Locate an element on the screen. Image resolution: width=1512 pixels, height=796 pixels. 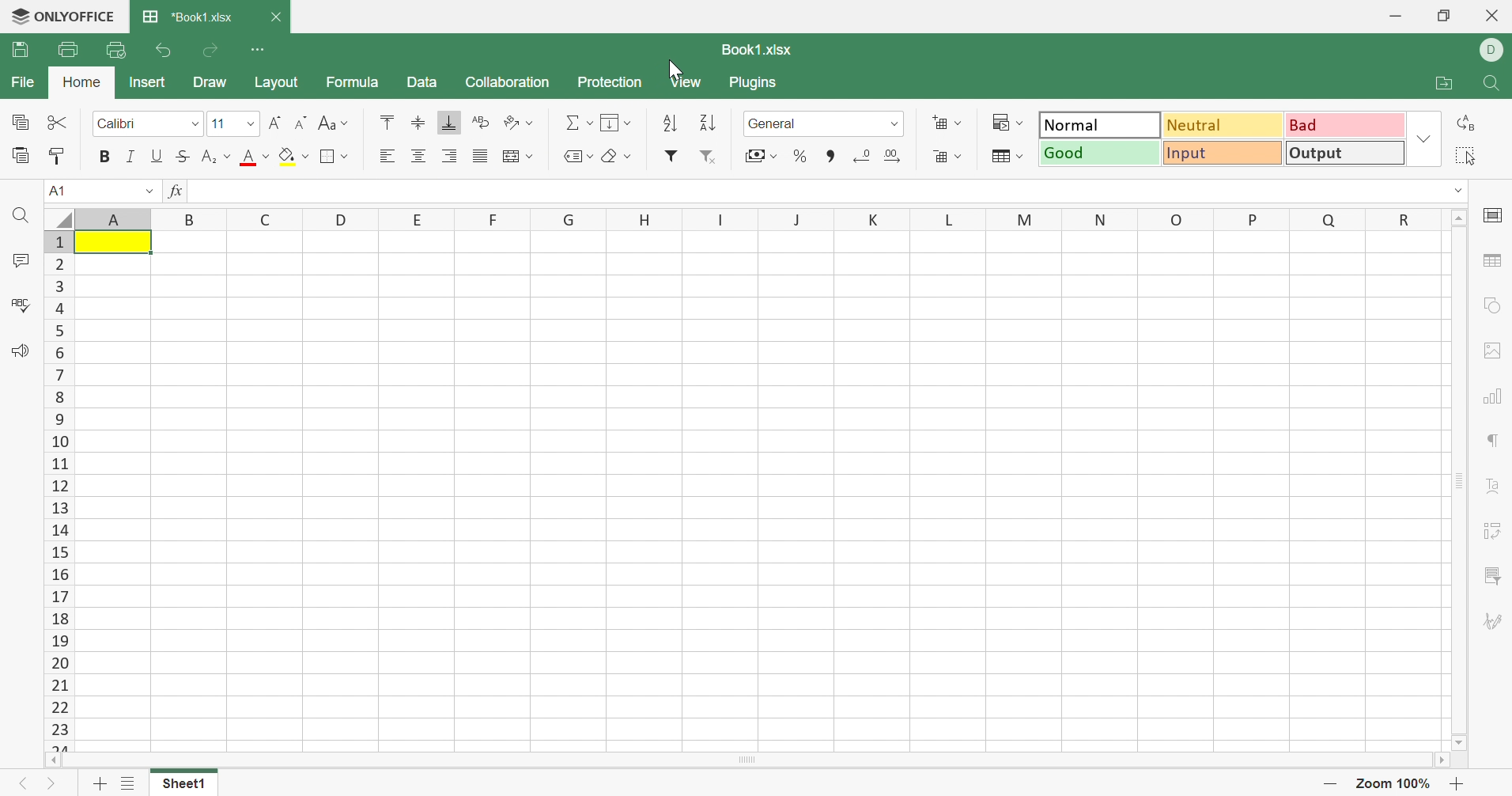
Slicer settings is located at coordinates (1496, 574).